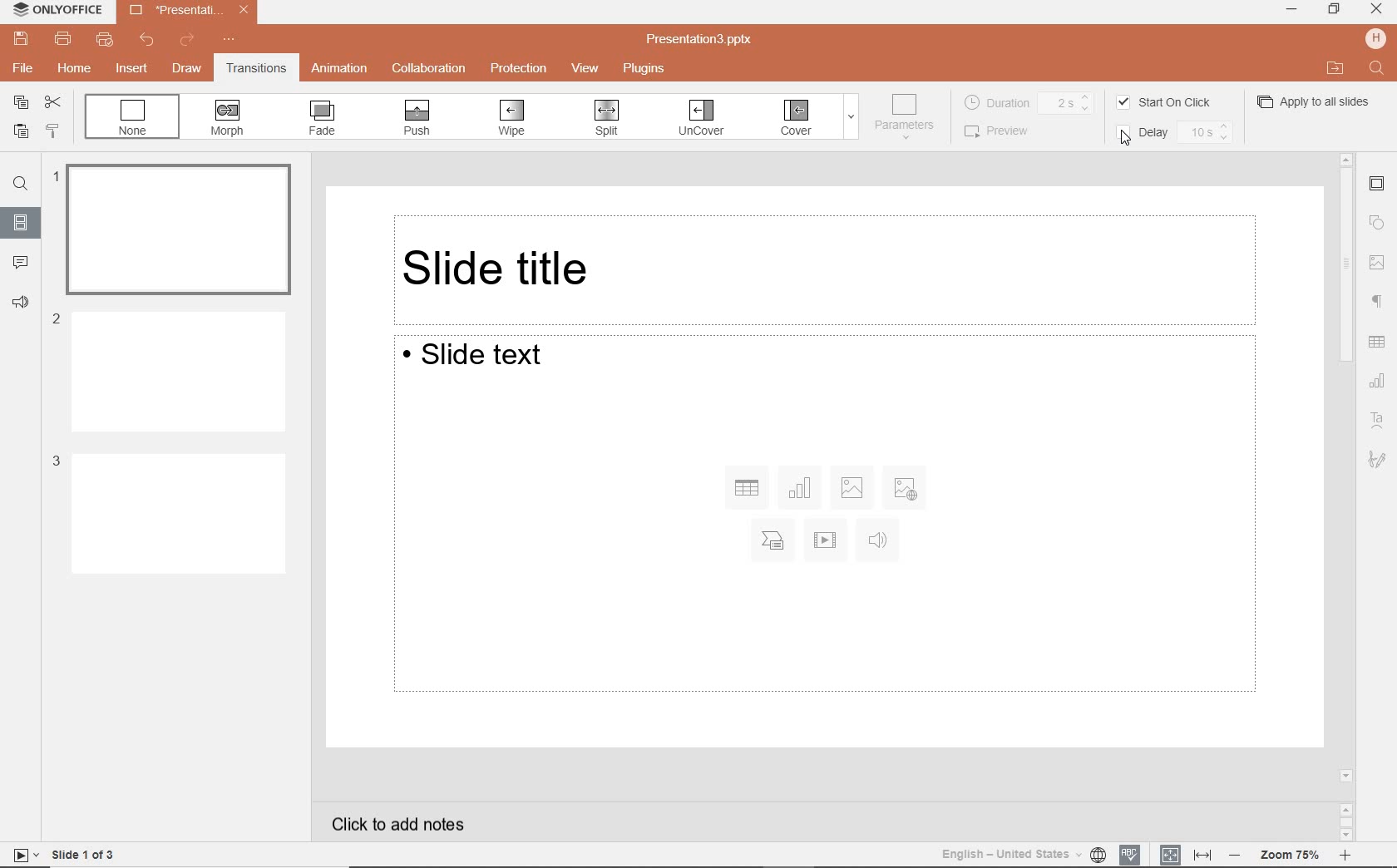  What do you see at coordinates (1380, 458) in the screenshot?
I see `text art` at bounding box center [1380, 458].